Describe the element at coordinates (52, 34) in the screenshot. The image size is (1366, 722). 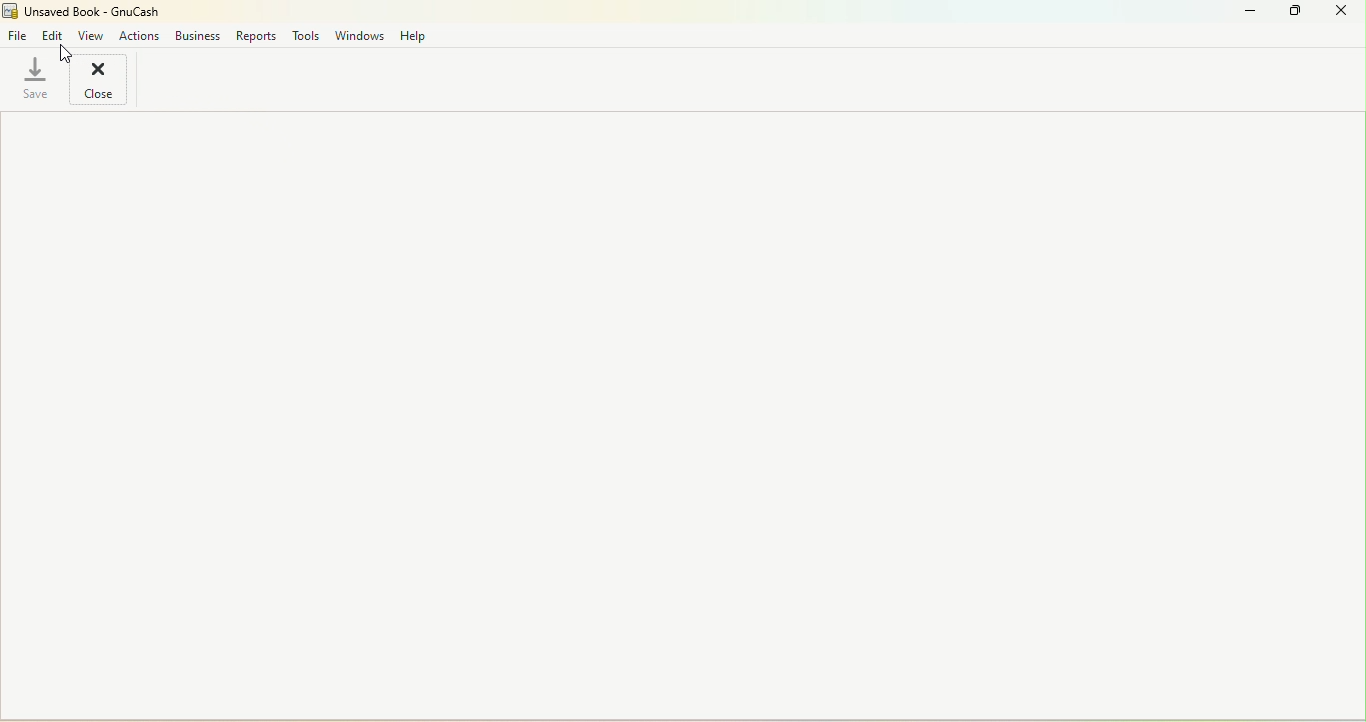
I see `Edit` at that location.